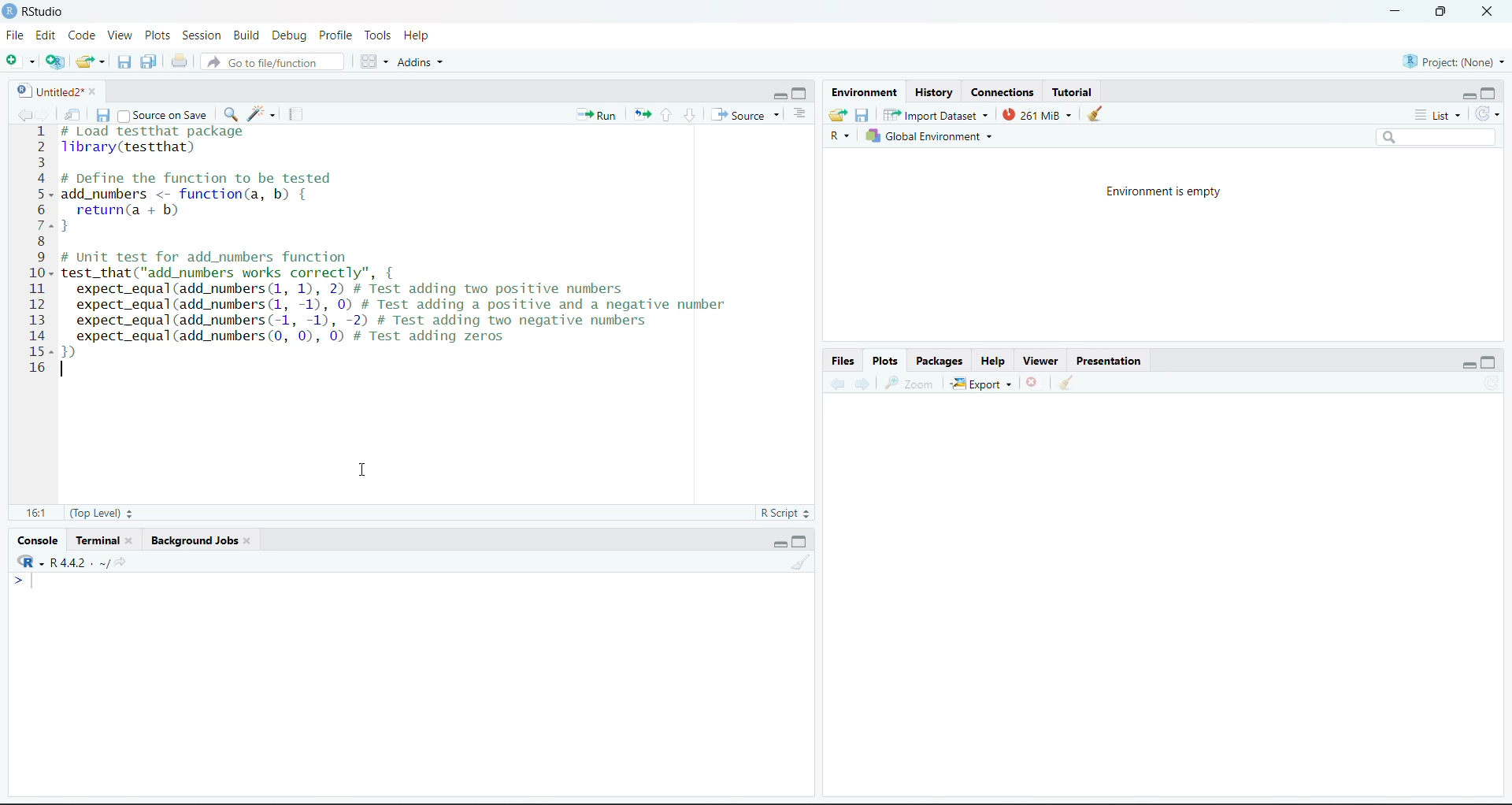 This screenshot has width=1512, height=805. I want to click on New file, so click(20, 62).